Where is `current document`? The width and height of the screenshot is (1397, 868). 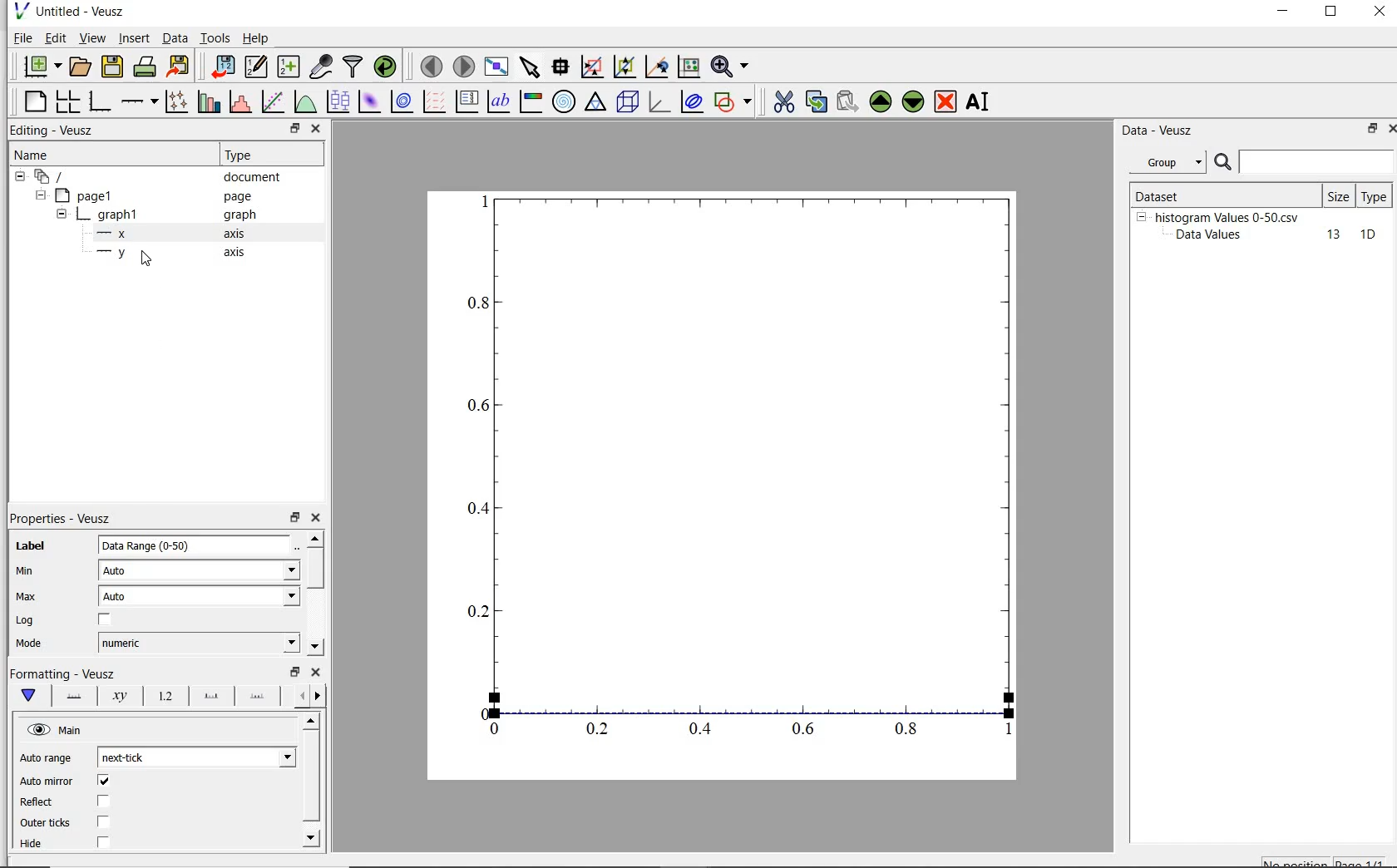
current document is located at coordinates (52, 177).